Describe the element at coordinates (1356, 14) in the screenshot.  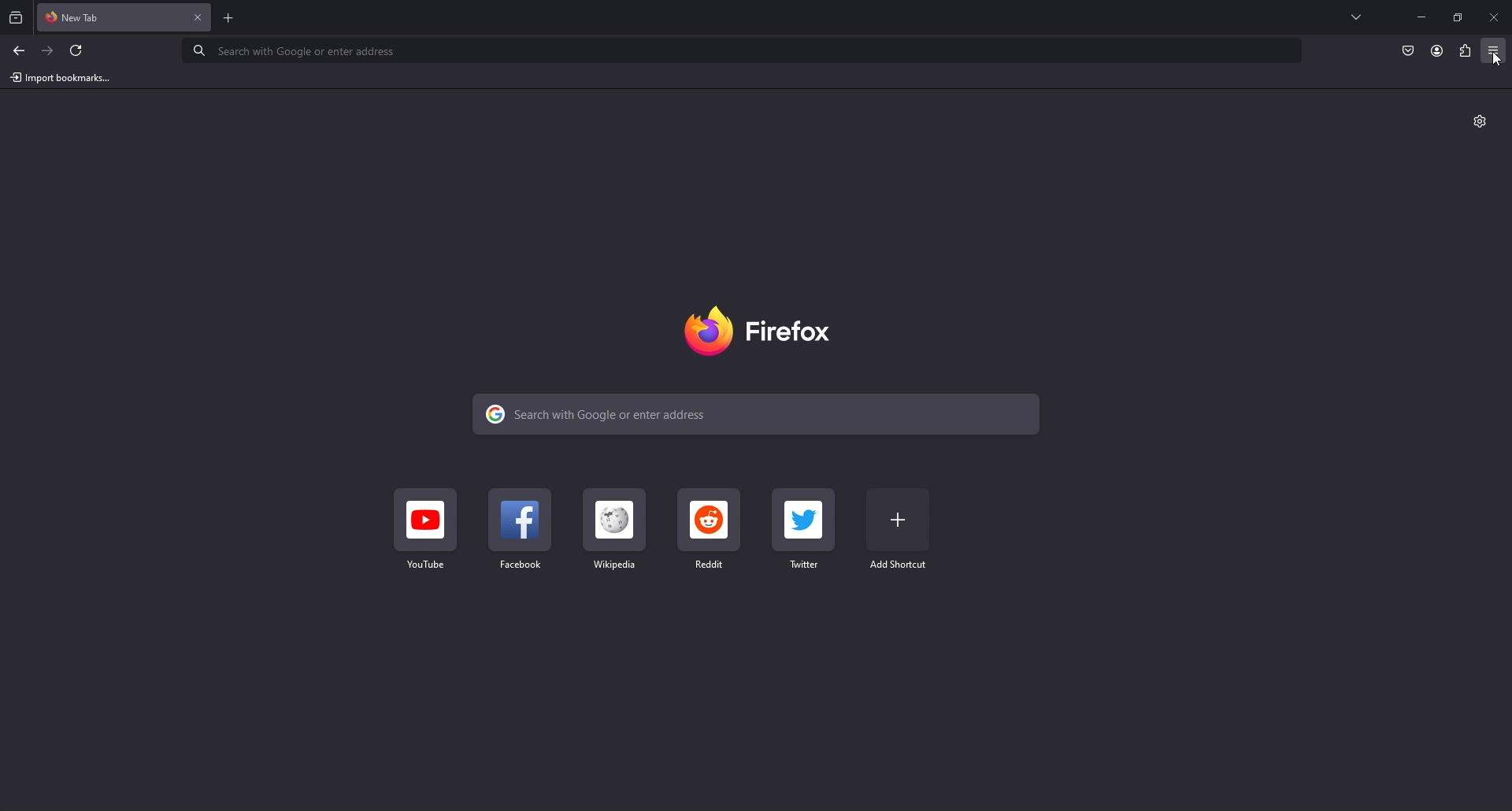
I see `list all tabs` at that location.